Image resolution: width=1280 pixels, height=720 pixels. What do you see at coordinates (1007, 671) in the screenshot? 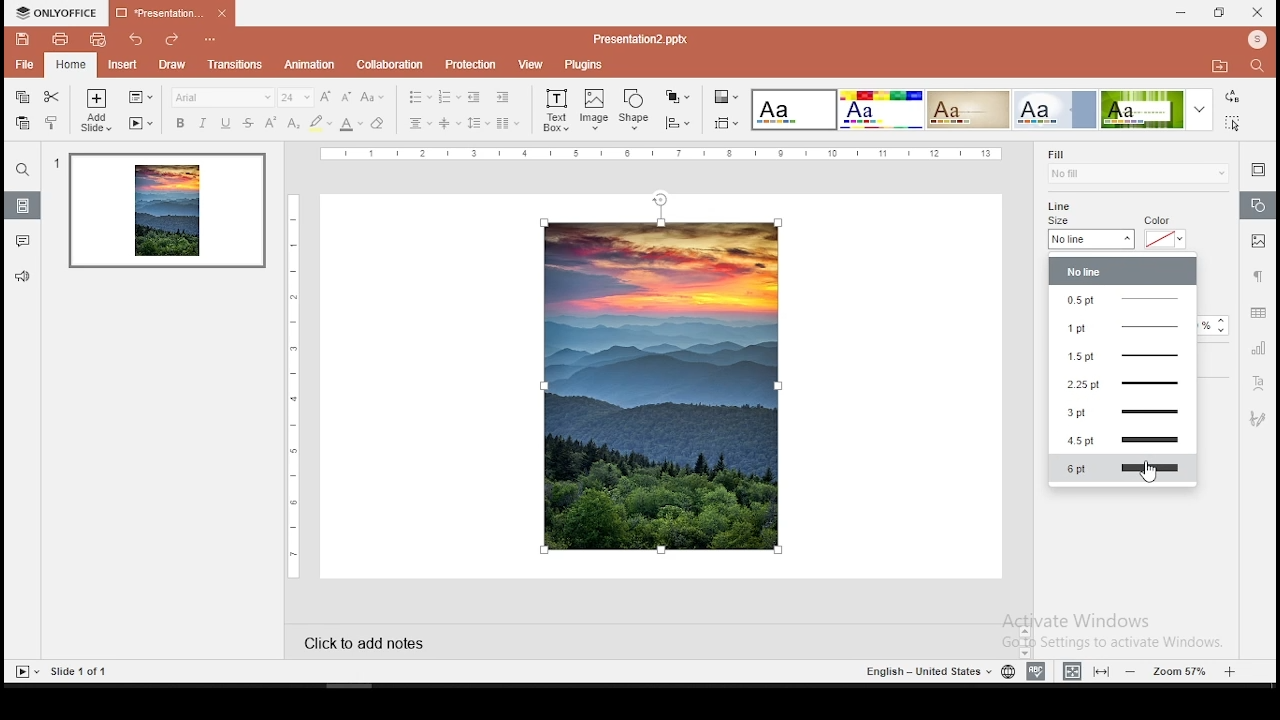
I see `language` at bounding box center [1007, 671].